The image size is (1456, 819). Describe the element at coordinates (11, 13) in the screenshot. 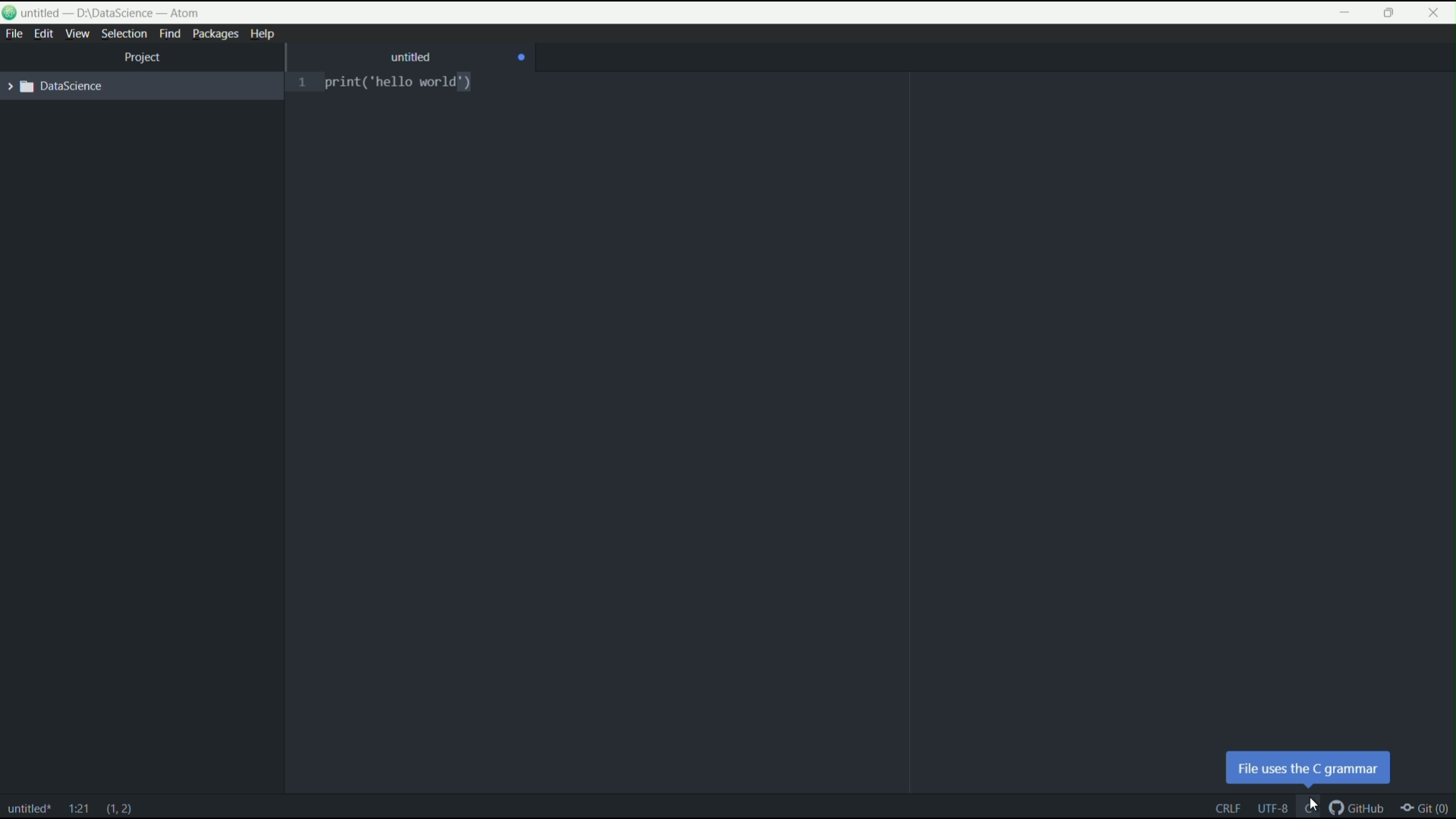

I see `logo` at that location.